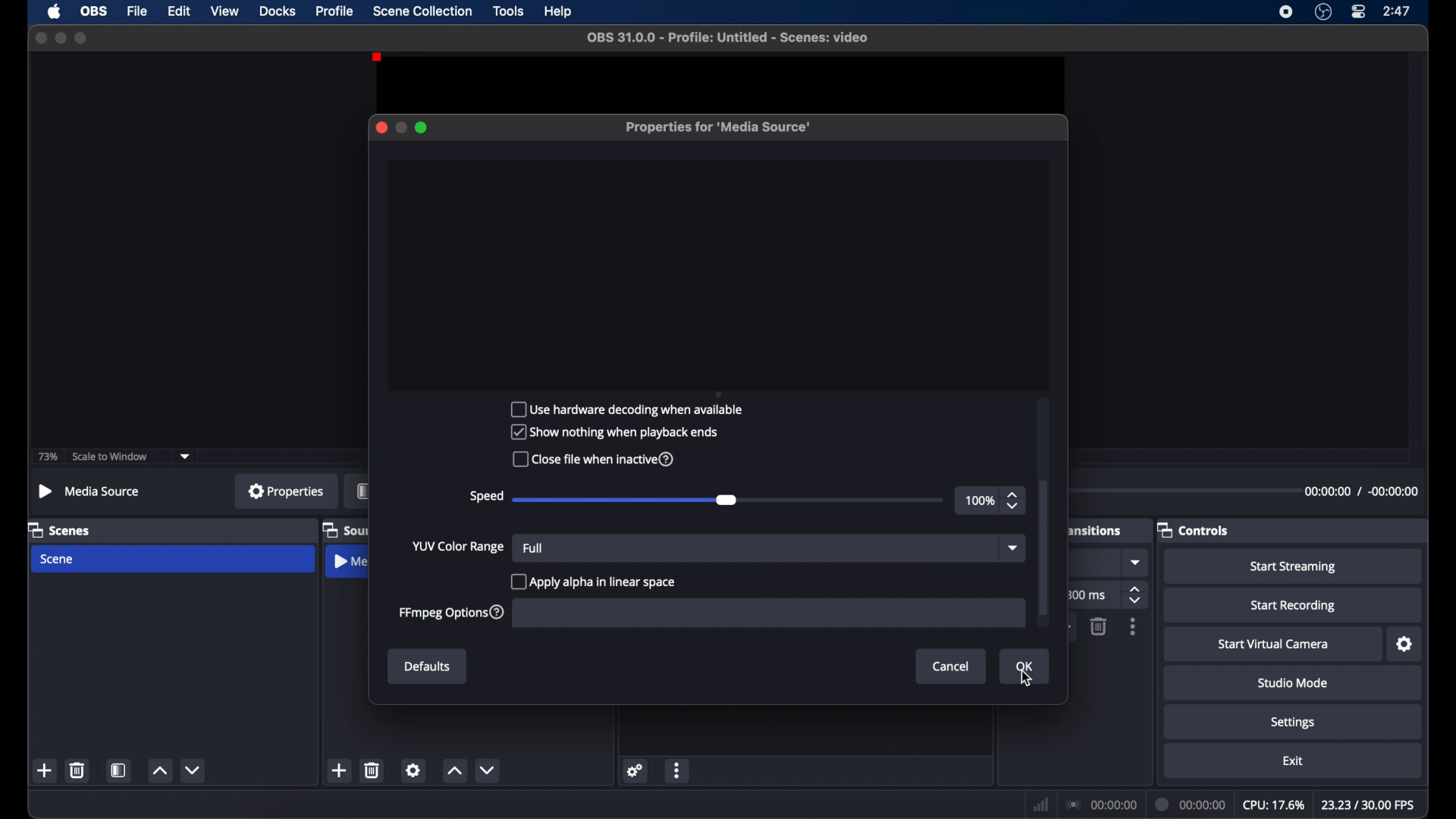 The height and width of the screenshot is (819, 1456). I want to click on Defaults, so click(428, 667).